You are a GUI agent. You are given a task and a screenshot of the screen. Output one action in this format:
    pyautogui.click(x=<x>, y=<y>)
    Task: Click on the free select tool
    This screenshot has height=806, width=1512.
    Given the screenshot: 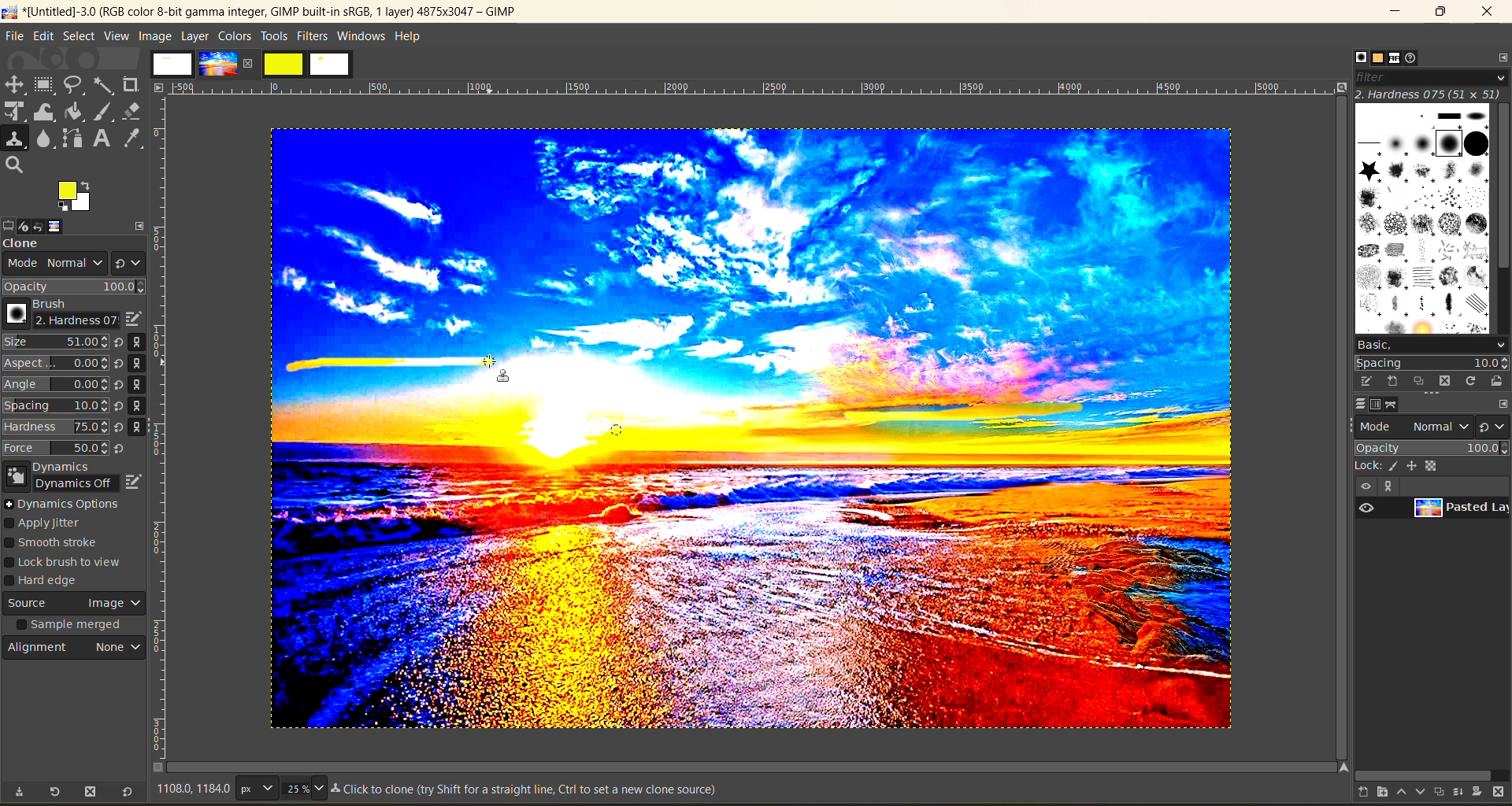 What is the action you would take?
    pyautogui.click(x=76, y=84)
    